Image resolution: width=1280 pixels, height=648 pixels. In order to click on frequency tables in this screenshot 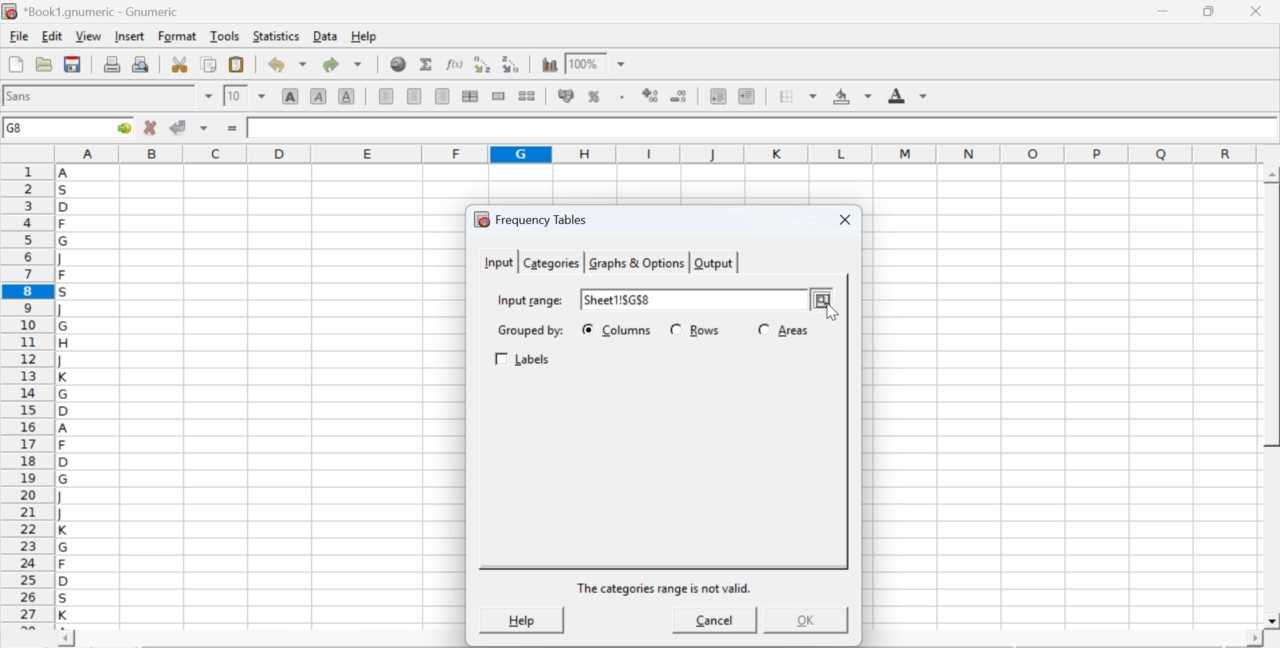, I will do `click(531, 219)`.